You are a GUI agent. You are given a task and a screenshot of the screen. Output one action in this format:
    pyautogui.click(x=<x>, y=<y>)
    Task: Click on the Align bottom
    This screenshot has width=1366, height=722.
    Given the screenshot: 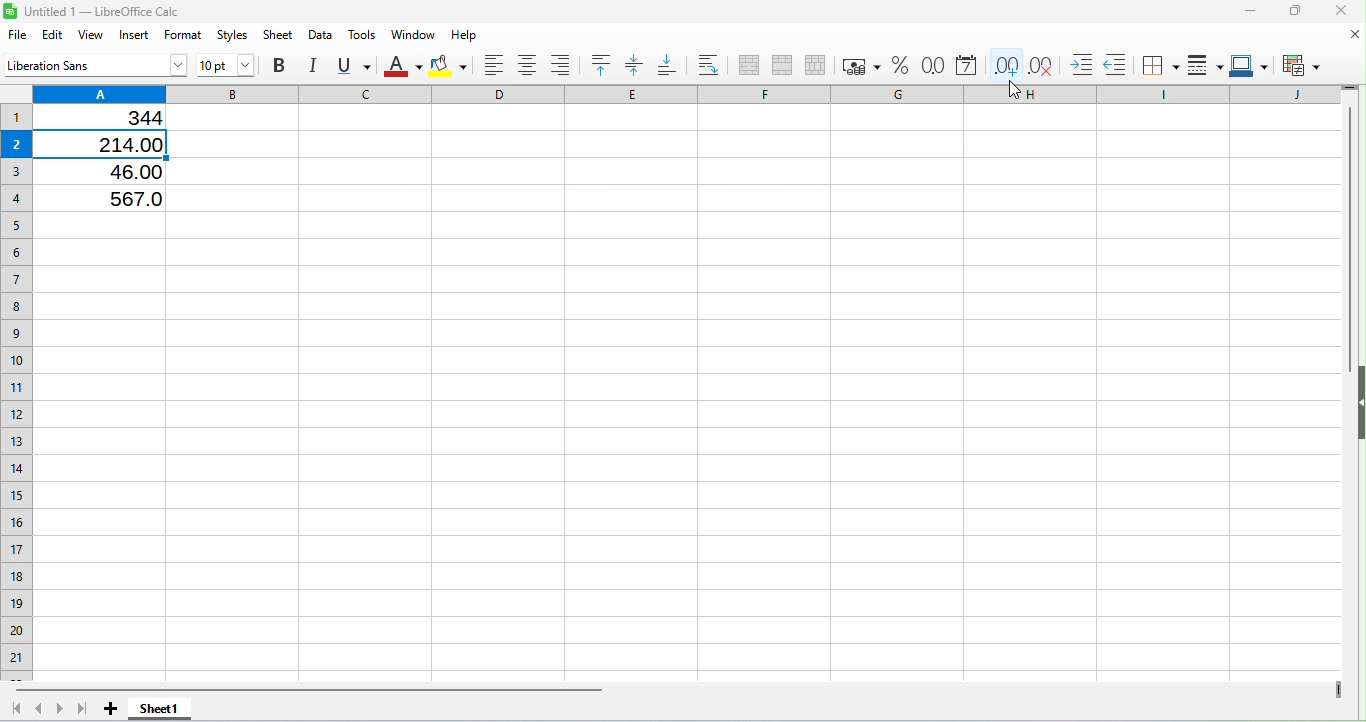 What is the action you would take?
    pyautogui.click(x=667, y=62)
    